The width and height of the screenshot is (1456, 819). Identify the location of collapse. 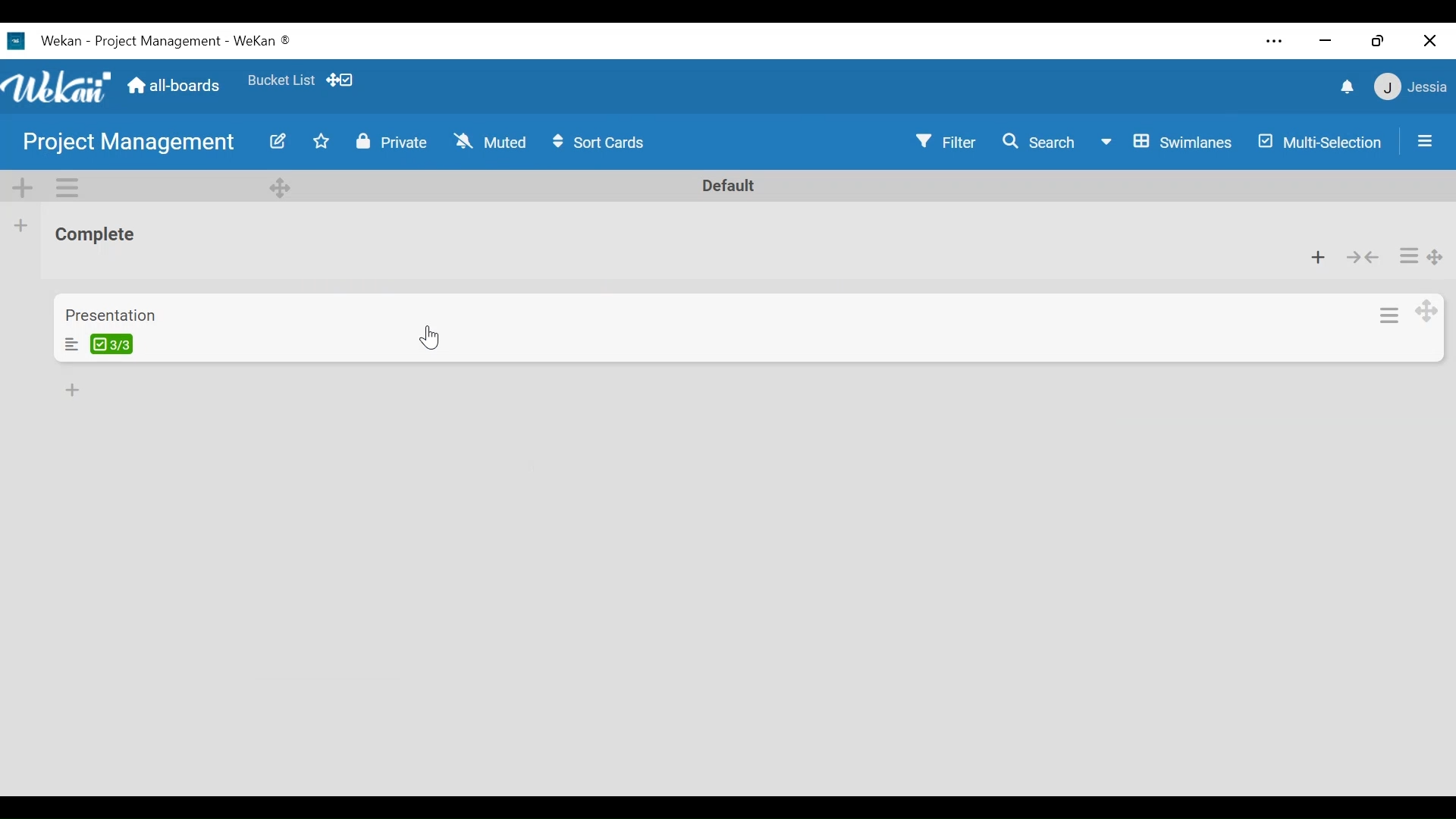
(1362, 257).